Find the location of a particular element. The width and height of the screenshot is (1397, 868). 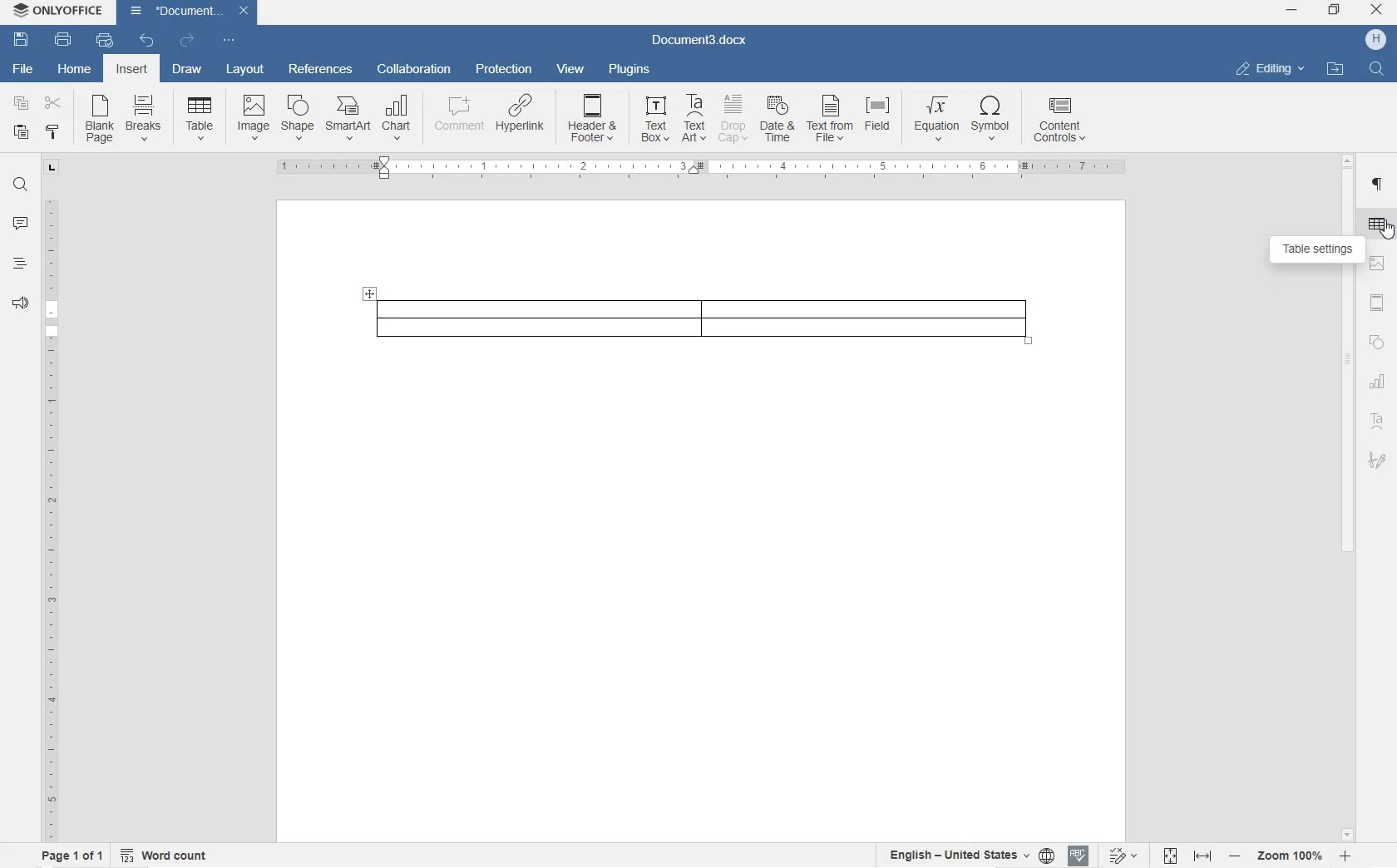

FEEDBACK & SUPPORT is located at coordinates (17, 303).